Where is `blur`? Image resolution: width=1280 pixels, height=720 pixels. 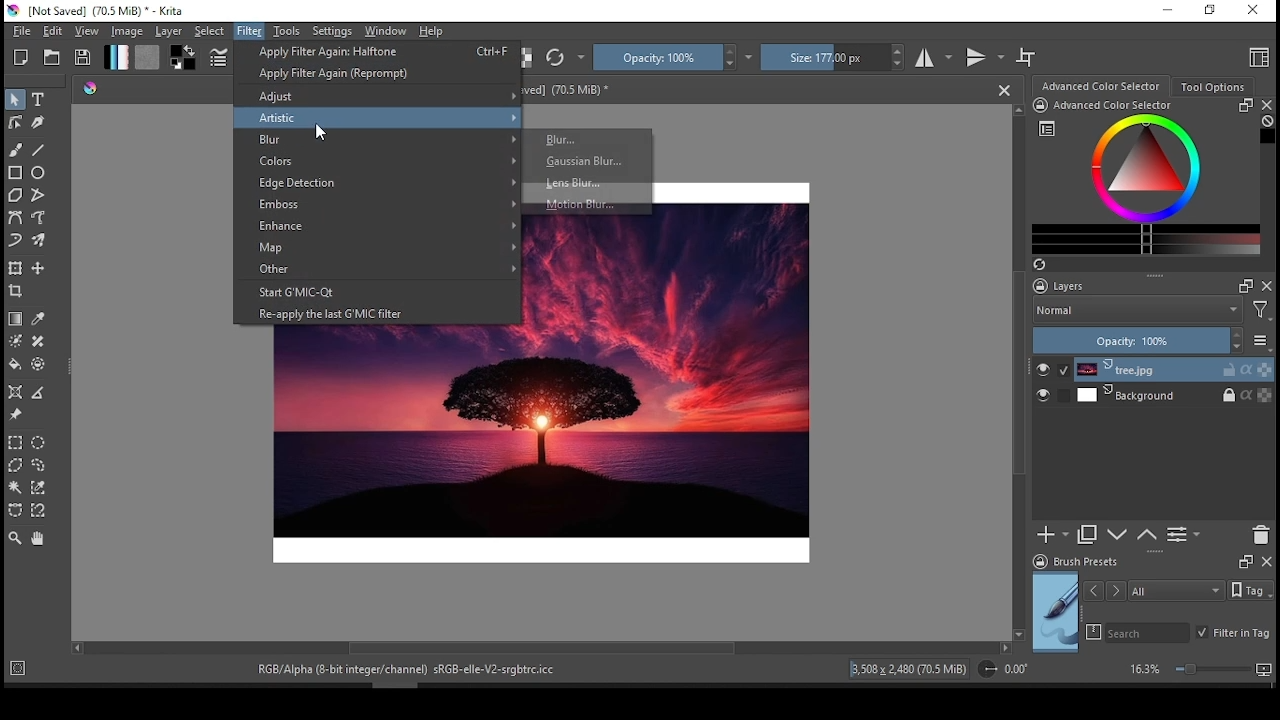
blur is located at coordinates (377, 139).